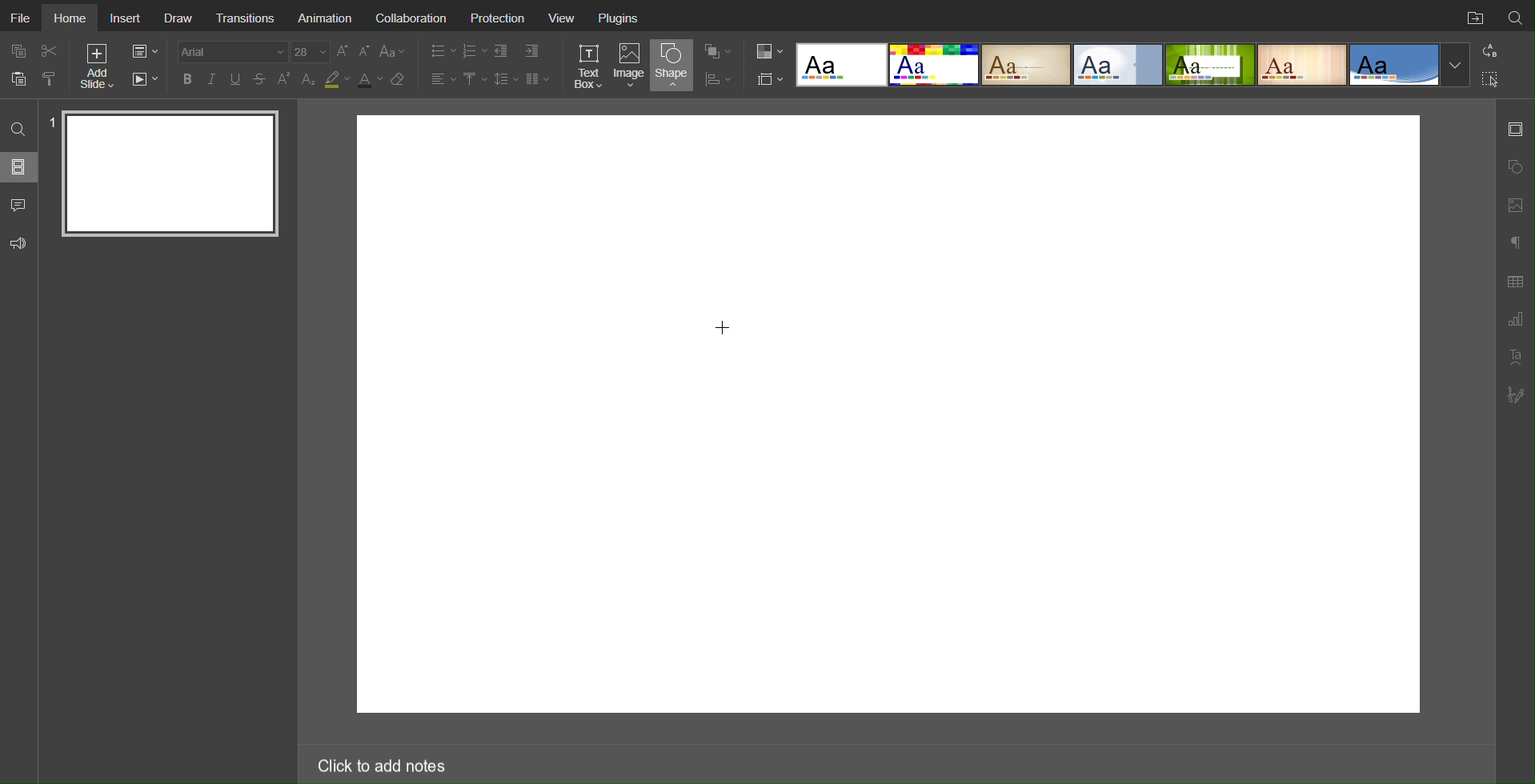 The image size is (1535, 784). What do you see at coordinates (1472, 16) in the screenshot?
I see `Open File Location` at bounding box center [1472, 16].